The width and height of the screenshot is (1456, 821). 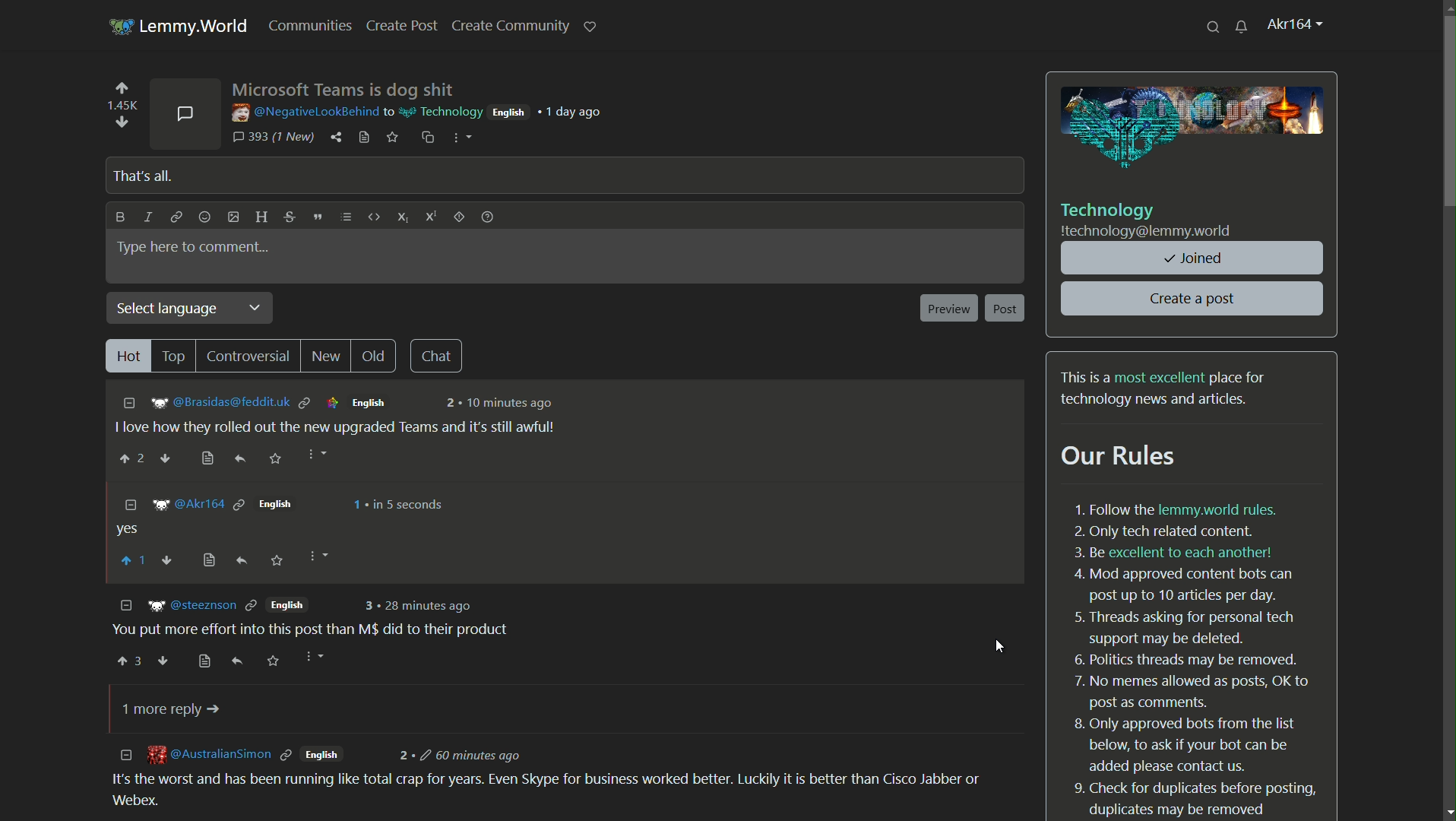 I want to click on quote, so click(x=317, y=217).